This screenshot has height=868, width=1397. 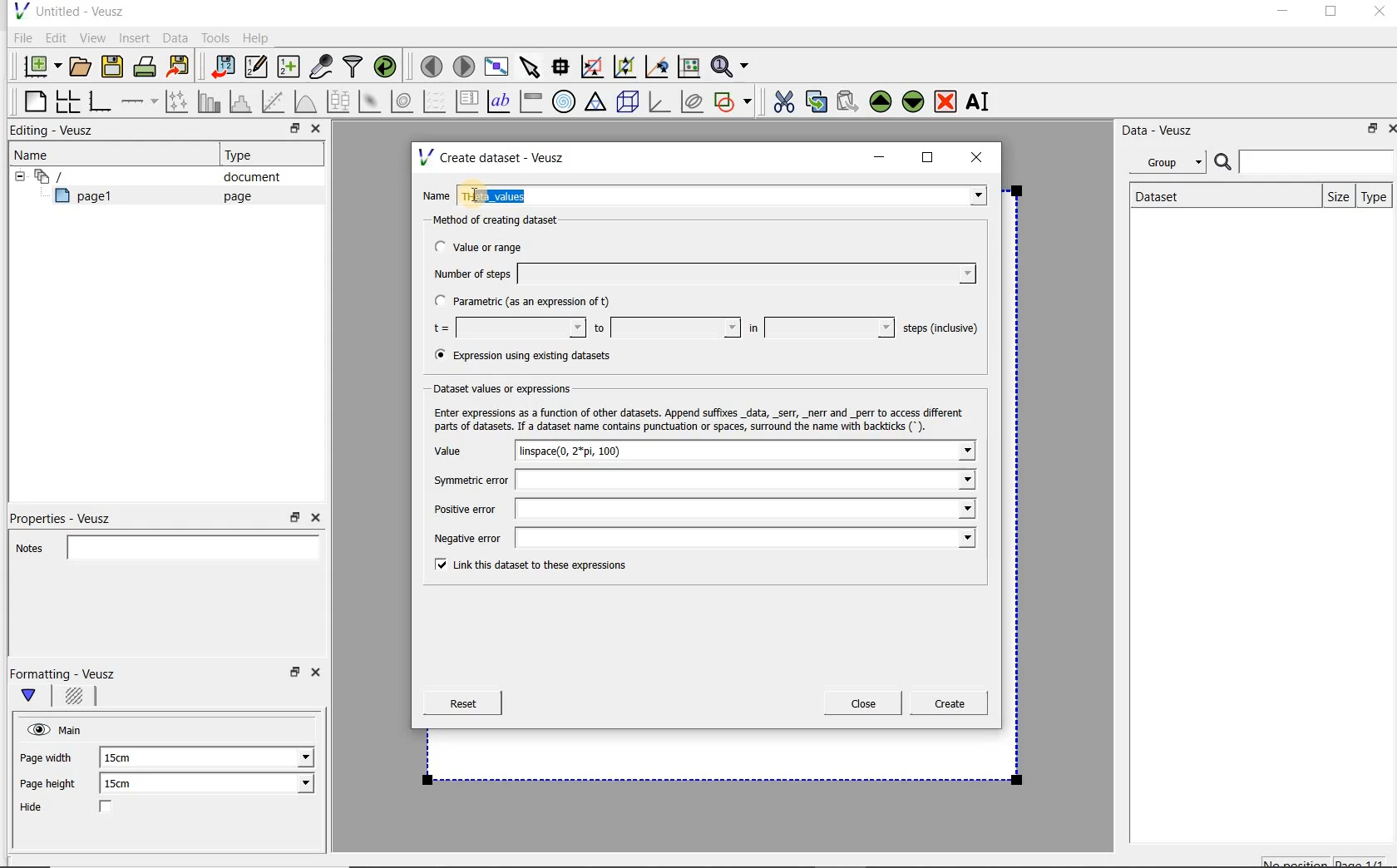 I want to click on linspace(0, 2*pi, 100), so click(x=748, y=451).